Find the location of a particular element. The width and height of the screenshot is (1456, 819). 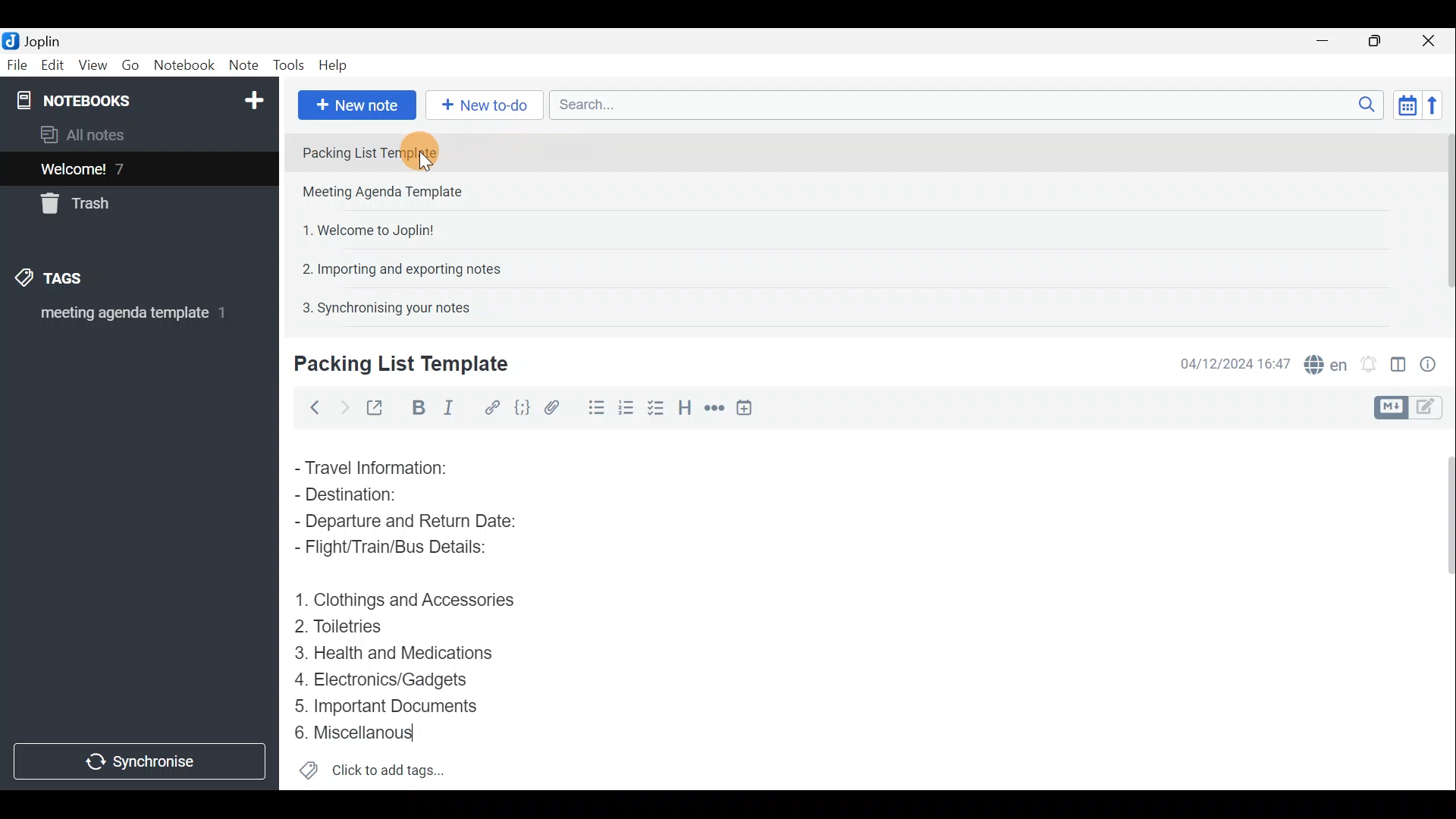

Toggle editors is located at coordinates (1433, 409).